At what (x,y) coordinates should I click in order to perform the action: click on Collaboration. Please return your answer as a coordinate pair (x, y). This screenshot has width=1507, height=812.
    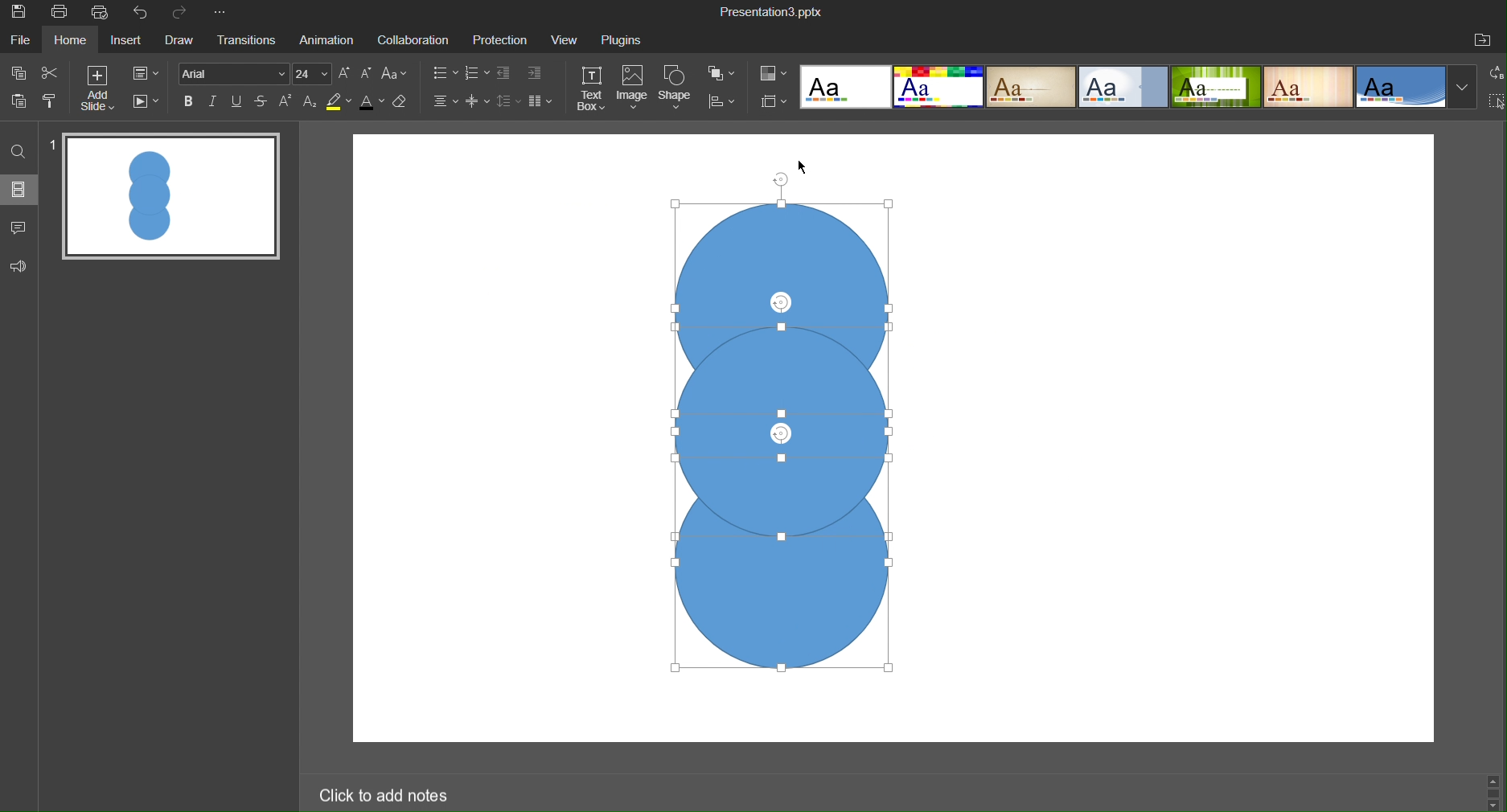
    Looking at the image, I should click on (416, 40).